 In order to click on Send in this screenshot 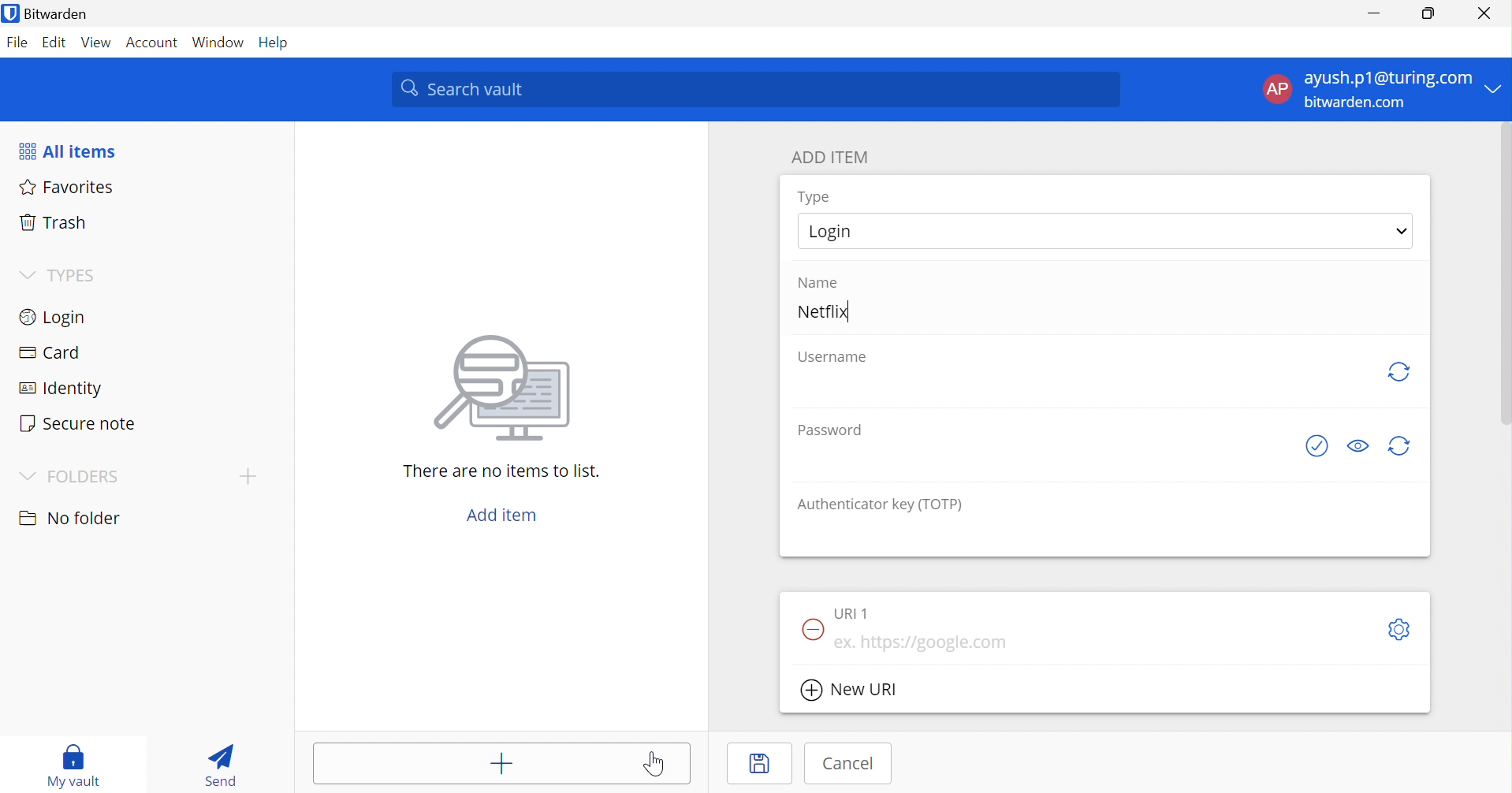, I will do `click(220, 768)`.